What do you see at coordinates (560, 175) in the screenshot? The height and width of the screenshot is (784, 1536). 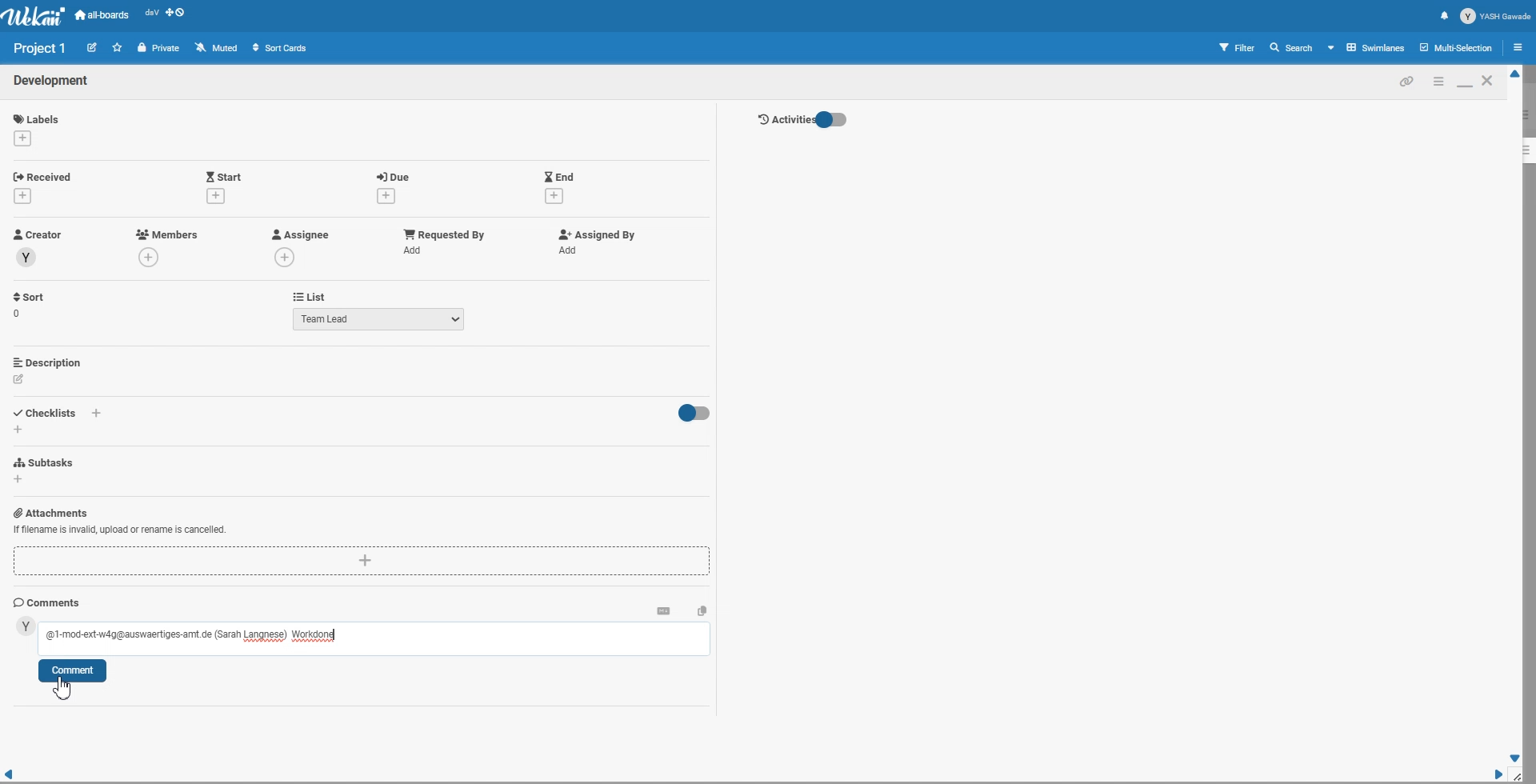 I see `Add End Date` at bounding box center [560, 175].